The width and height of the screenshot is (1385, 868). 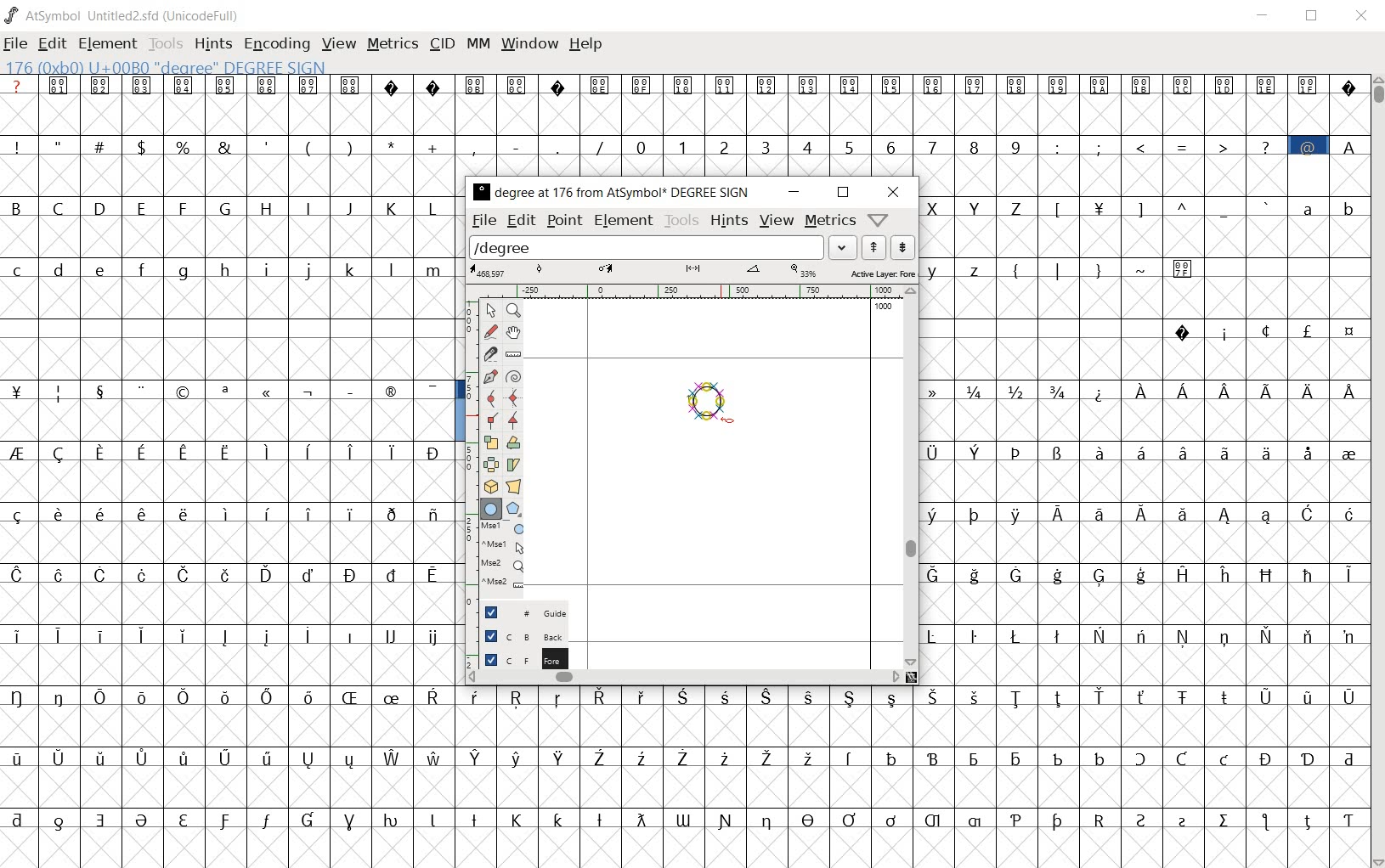 What do you see at coordinates (1148, 481) in the screenshot?
I see `` at bounding box center [1148, 481].